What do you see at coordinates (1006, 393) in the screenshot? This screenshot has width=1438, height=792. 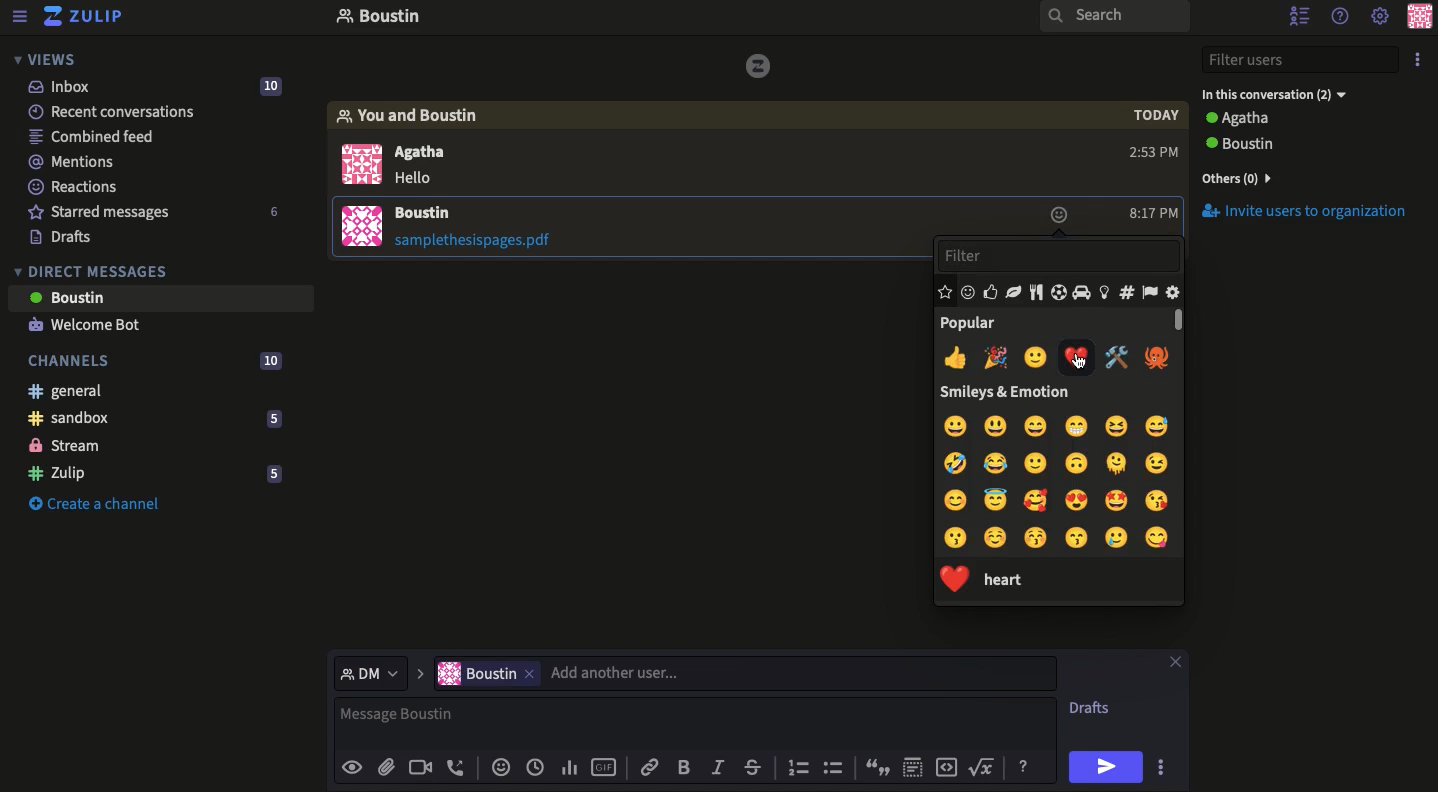 I see `smileys & emoticons` at bounding box center [1006, 393].